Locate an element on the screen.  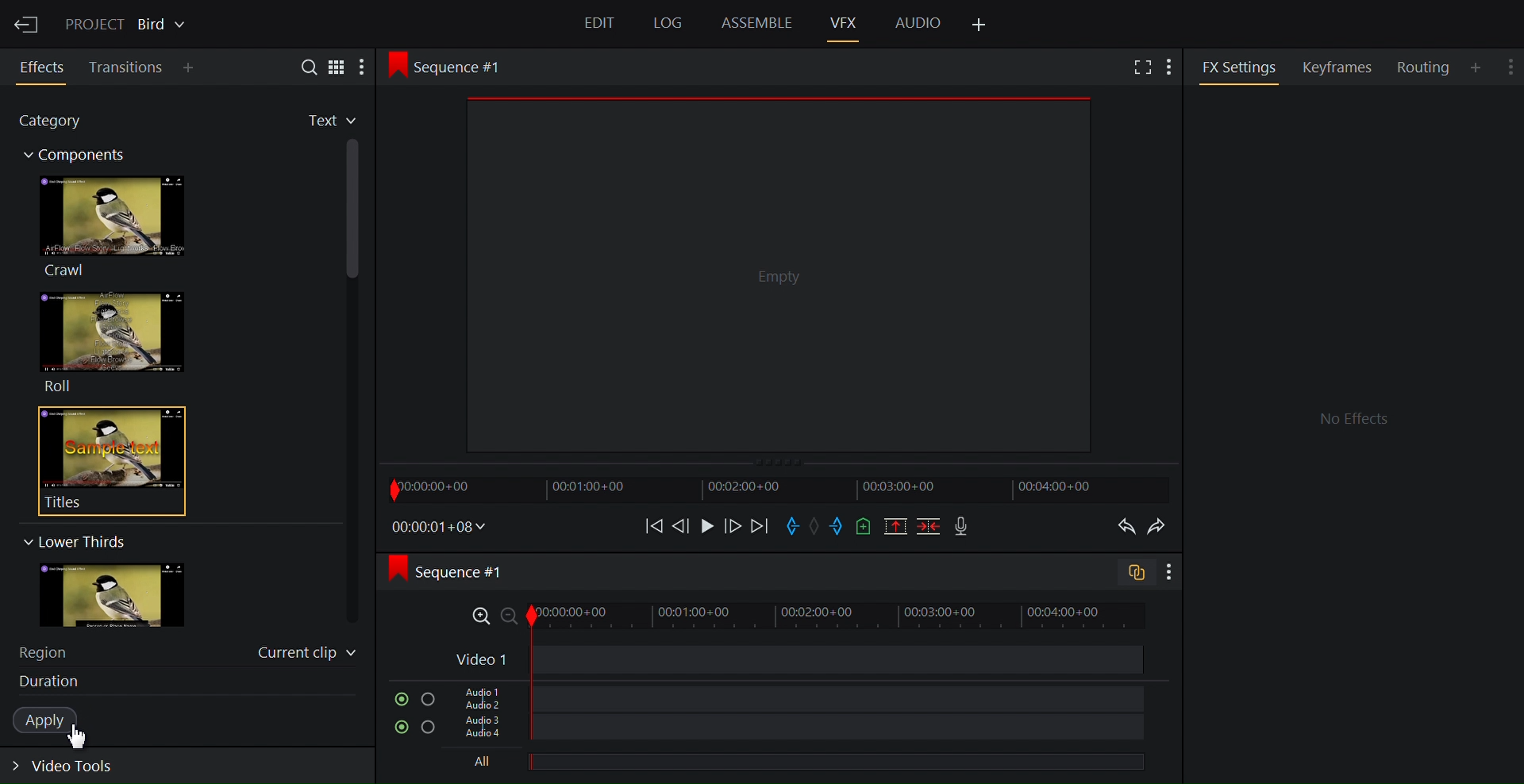
Mark in is located at coordinates (795, 525).